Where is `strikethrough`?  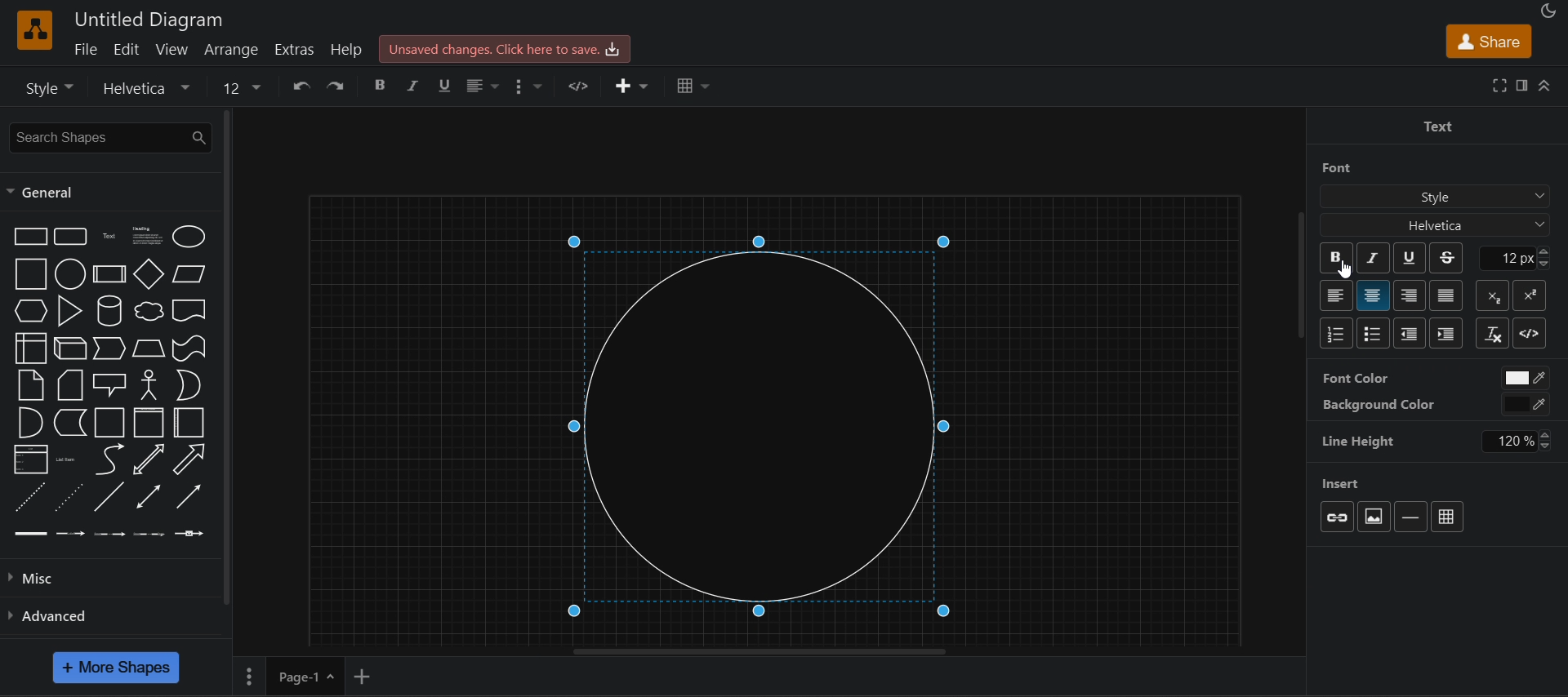 strikethrough is located at coordinates (1449, 257).